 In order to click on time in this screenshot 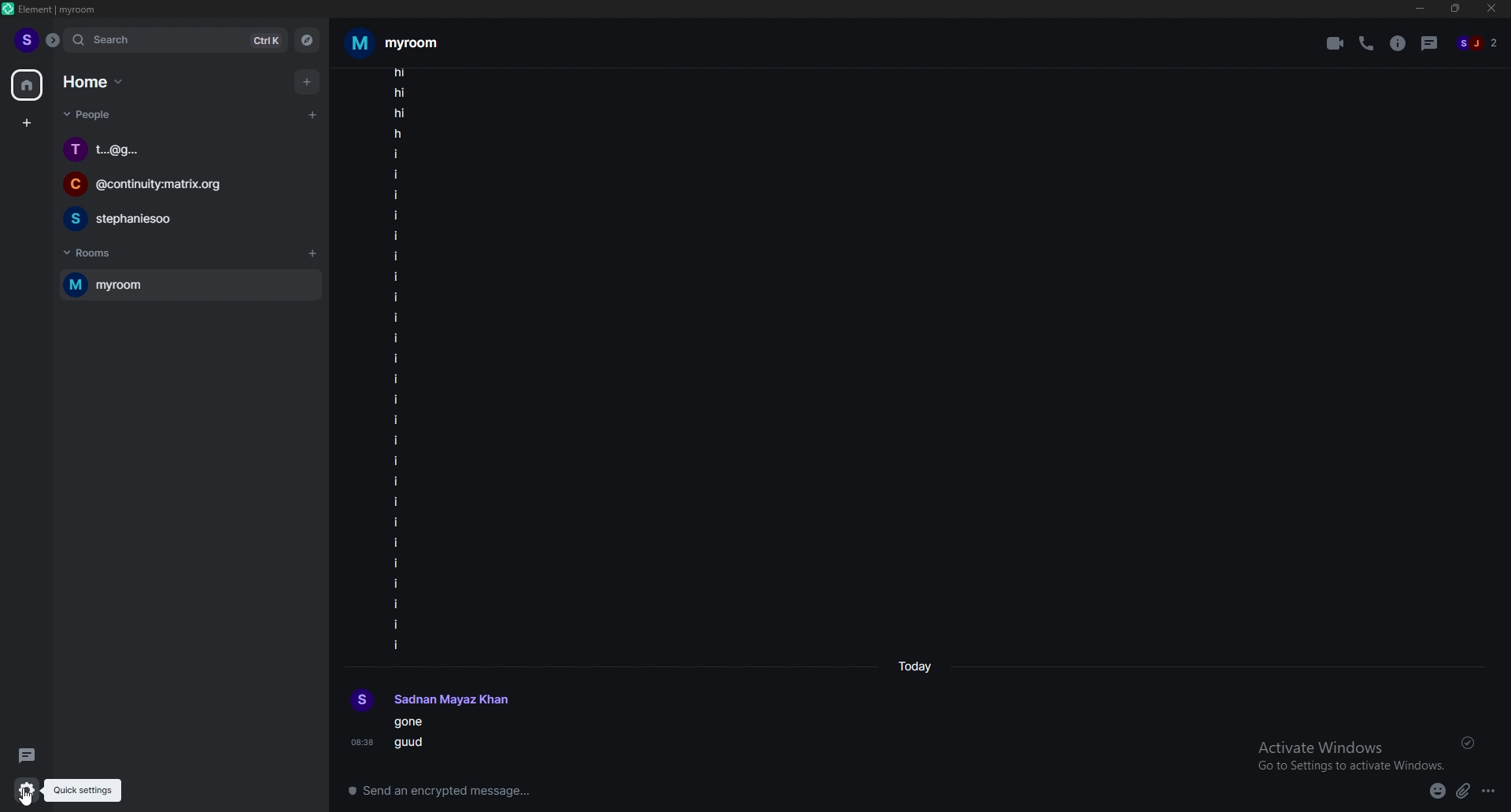, I will do `click(918, 666)`.